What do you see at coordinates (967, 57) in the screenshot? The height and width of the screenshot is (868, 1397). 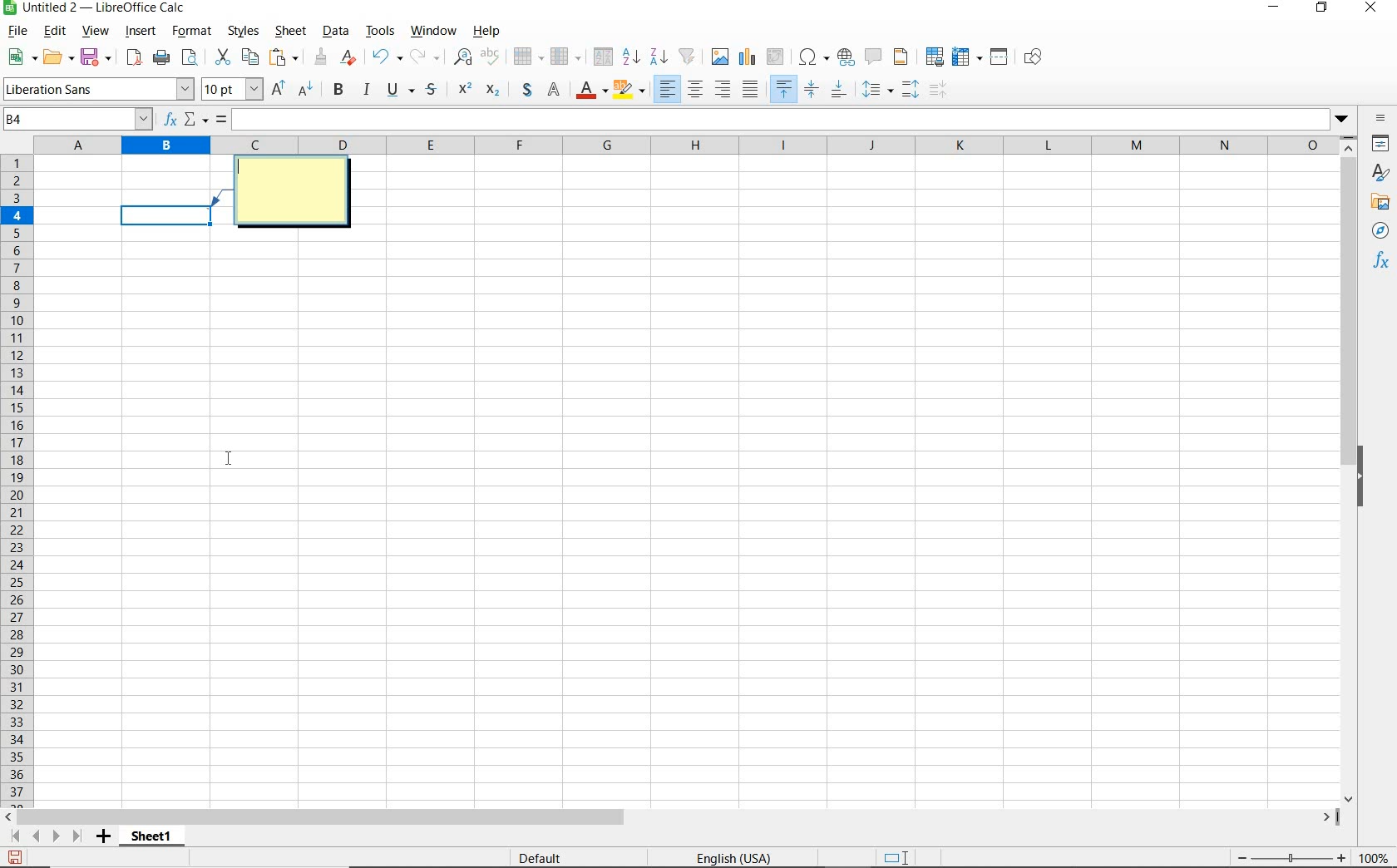 I see `freeze rows and columns` at bounding box center [967, 57].